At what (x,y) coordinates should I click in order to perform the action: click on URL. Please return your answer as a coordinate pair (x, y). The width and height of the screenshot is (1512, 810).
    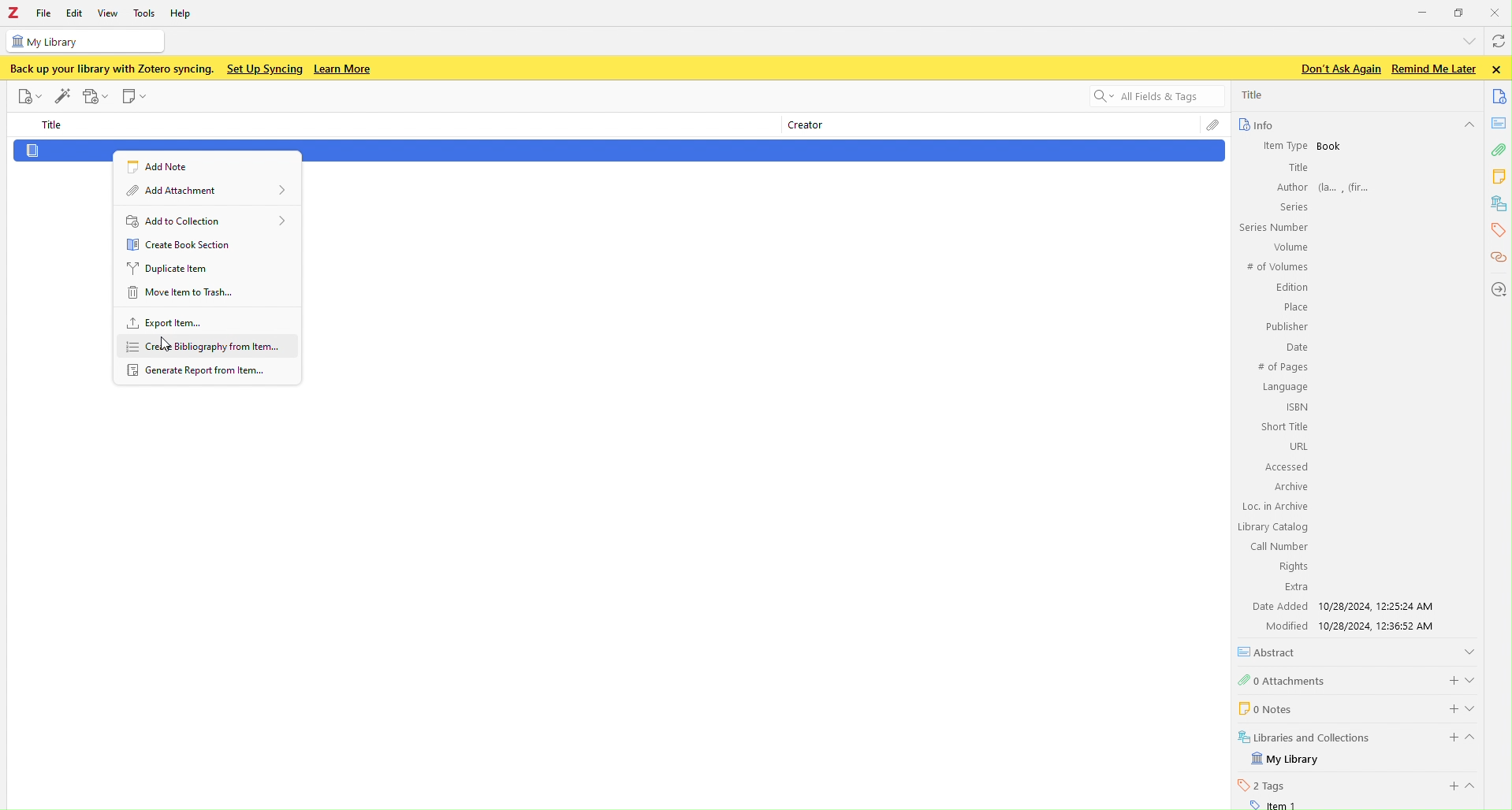
    Looking at the image, I should click on (1297, 446).